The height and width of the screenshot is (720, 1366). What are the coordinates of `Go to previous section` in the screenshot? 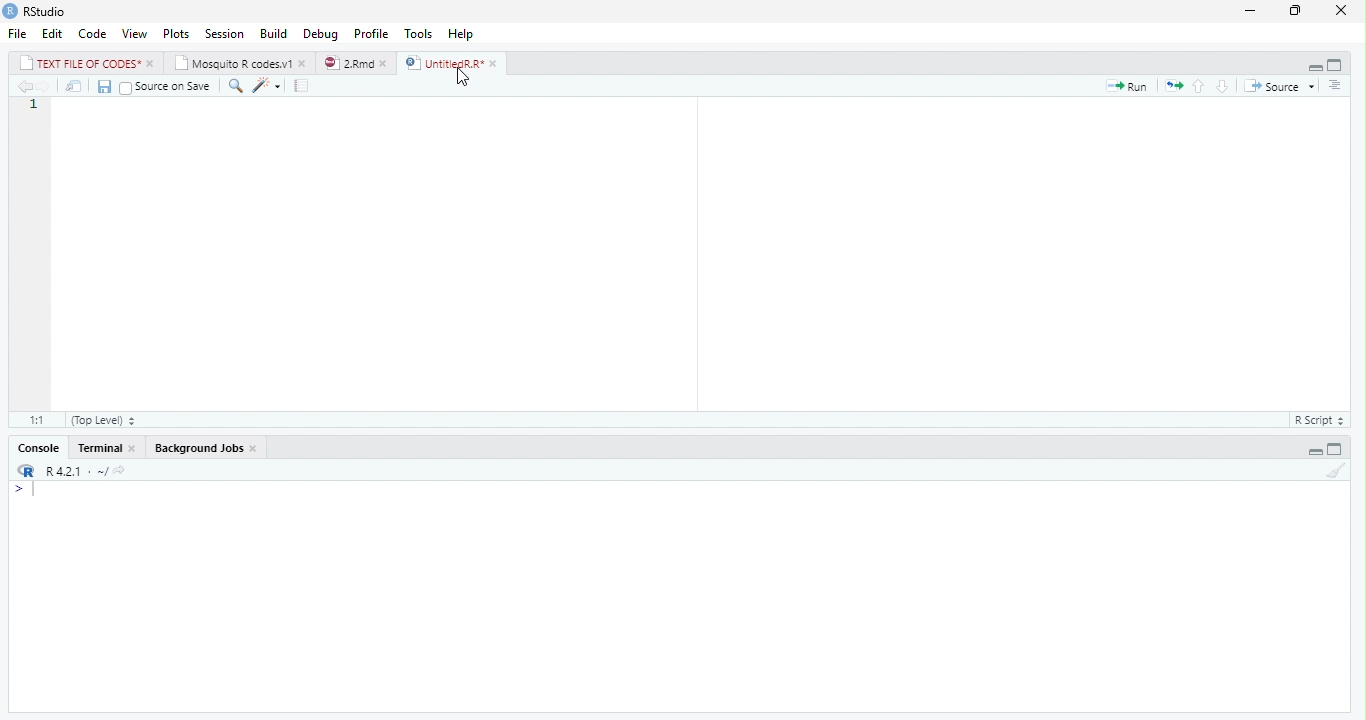 It's located at (1199, 85).